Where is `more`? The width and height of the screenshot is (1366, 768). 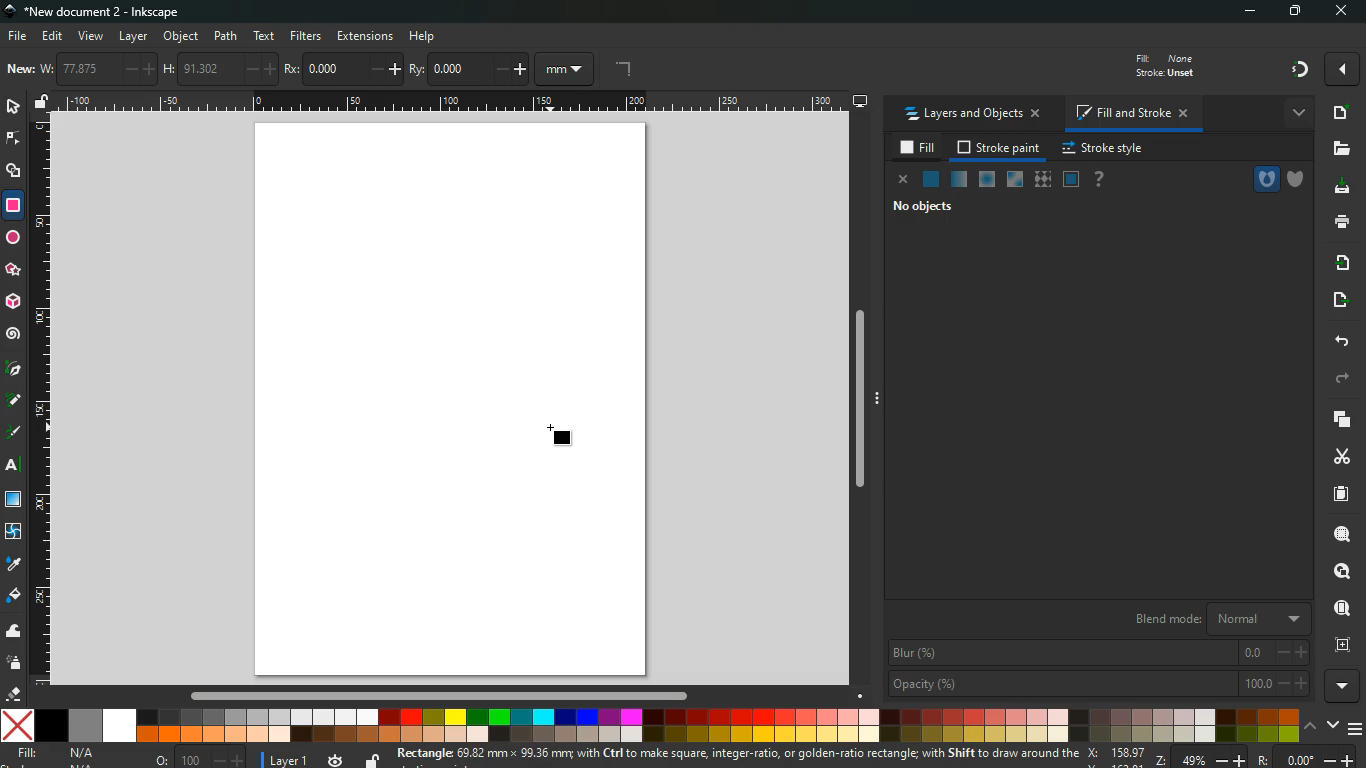
more is located at coordinates (1344, 69).